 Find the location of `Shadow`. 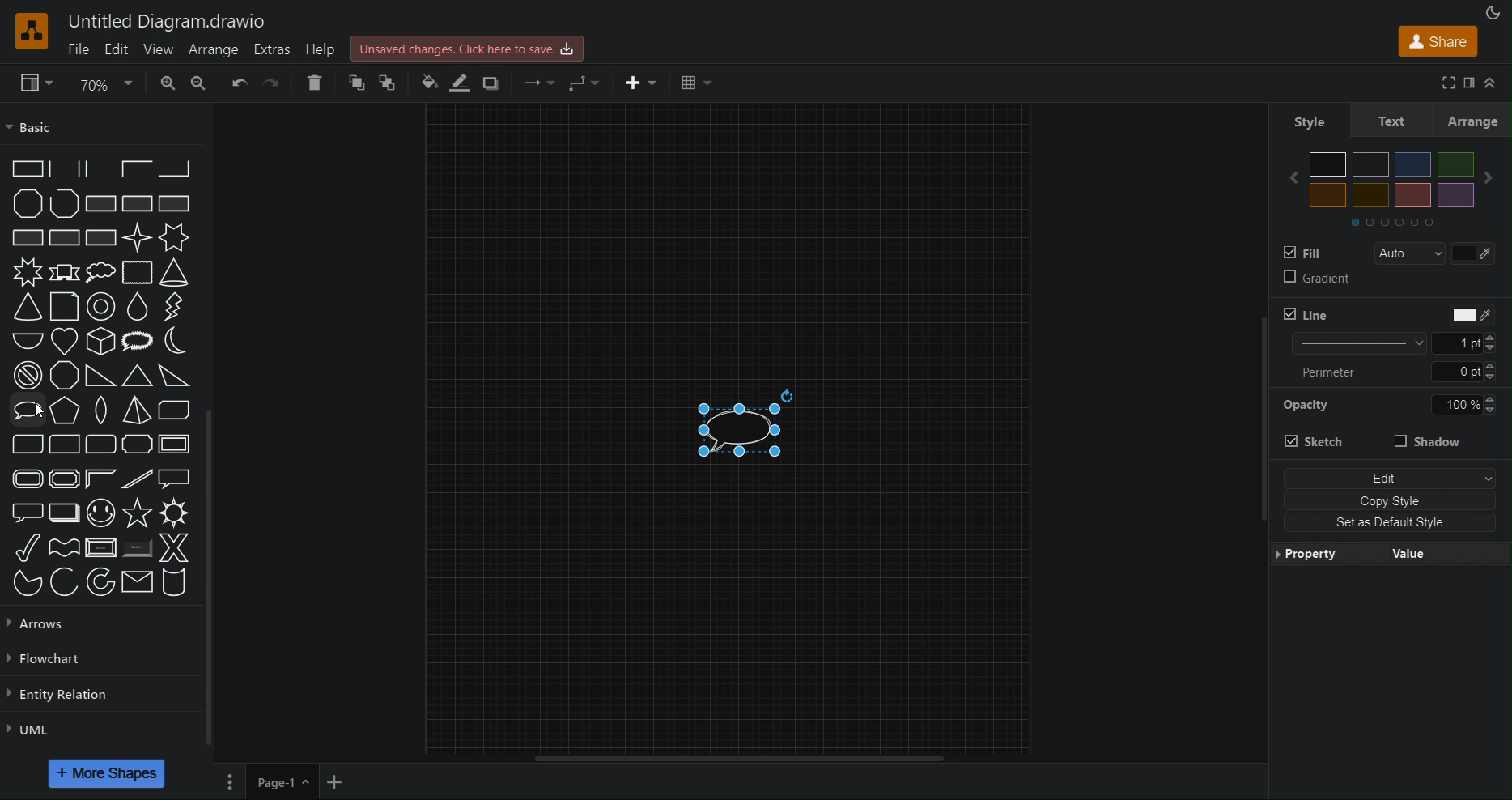

Shadow is located at coordinates (1430, 440).